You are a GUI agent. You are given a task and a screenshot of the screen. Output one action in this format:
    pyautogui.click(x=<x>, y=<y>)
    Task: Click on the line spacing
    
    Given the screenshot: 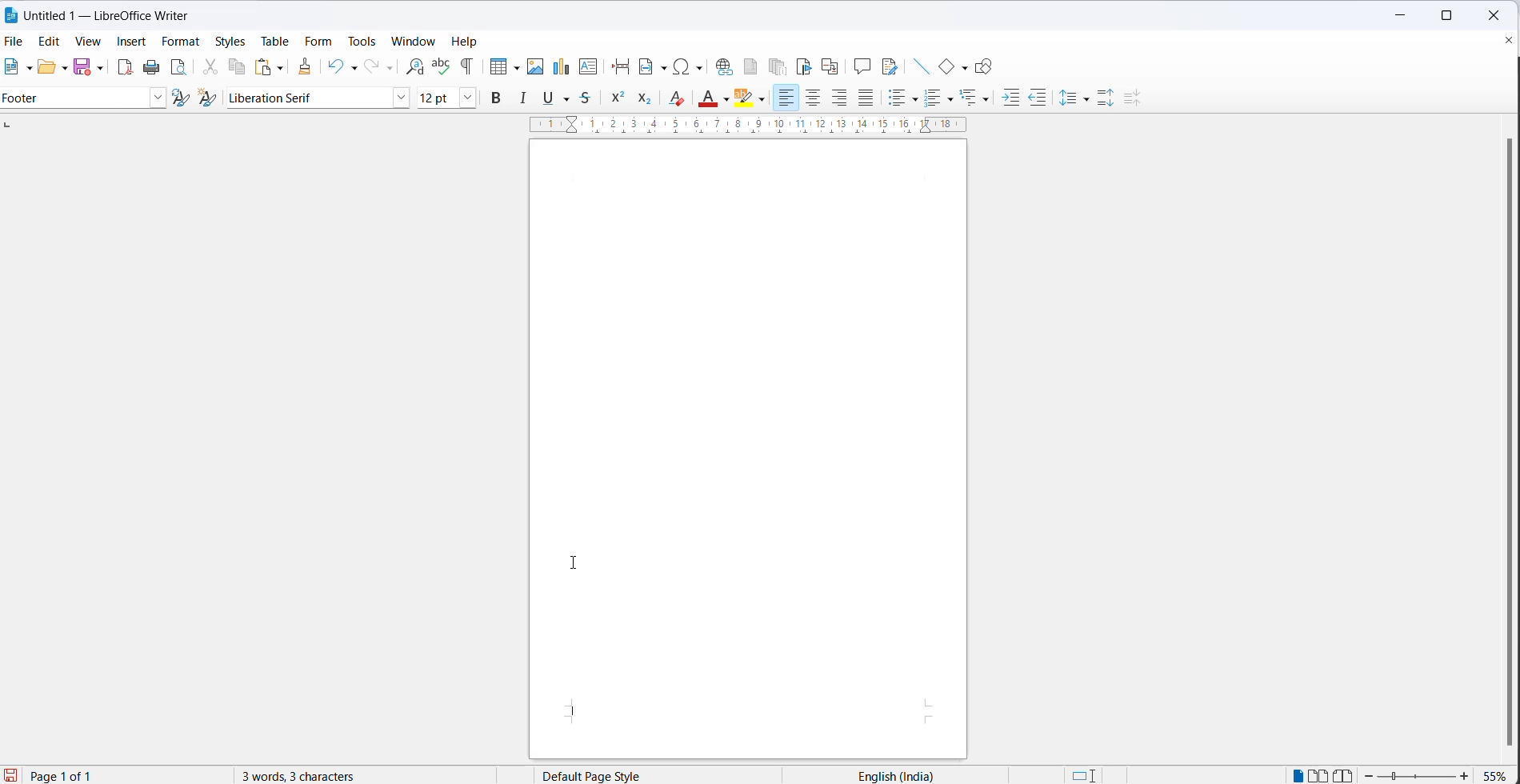 What is the action you would take?
    pyautogui.click(x=1068, y=94)
    